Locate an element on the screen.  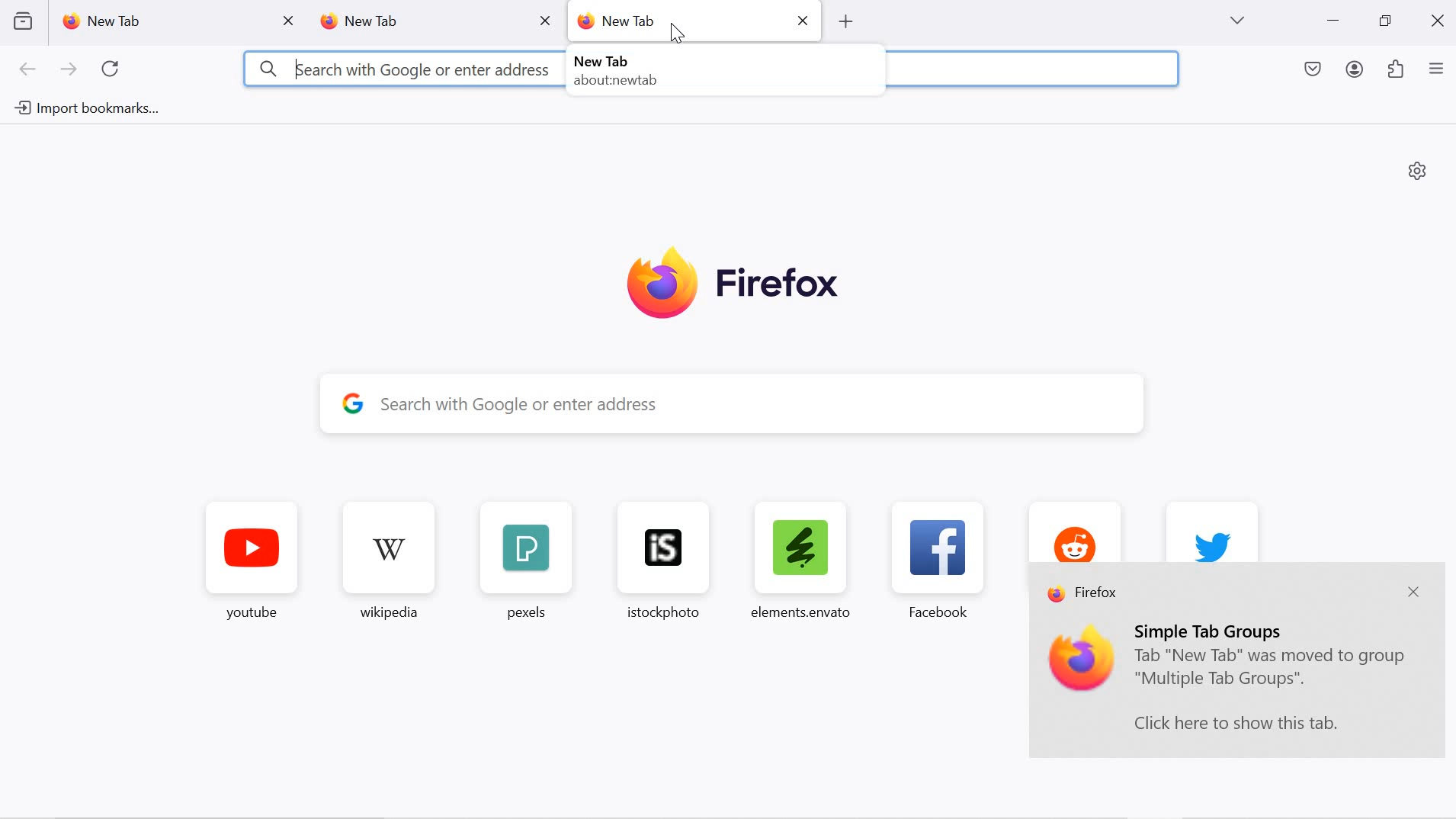
close tab is located at coordinates (290, 21).